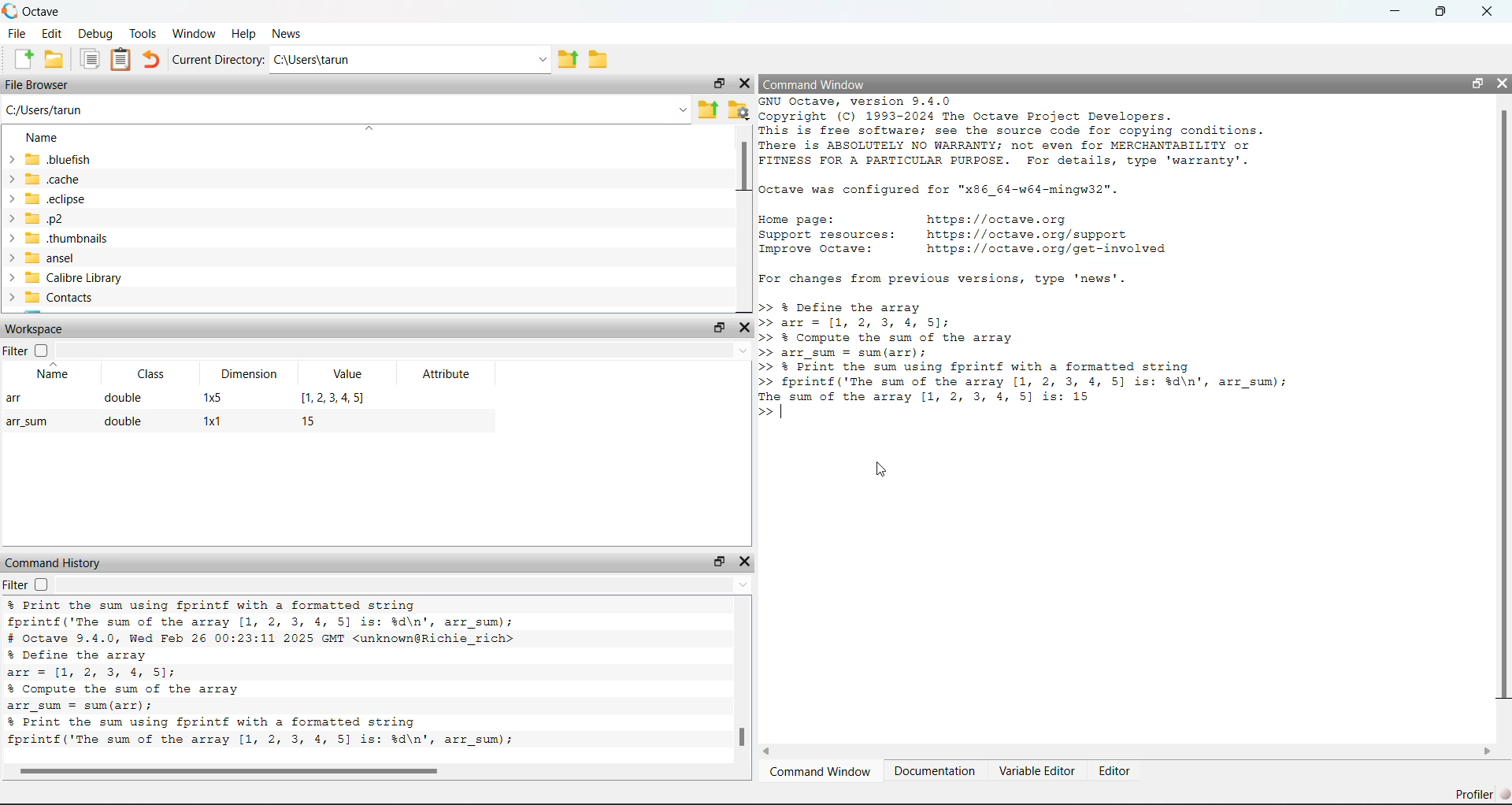 Image resolution: width=1512 pixels, height=805 pixels. Describe the element at coordinates (11, 11) in the screenshot. I see `logo` at that location.